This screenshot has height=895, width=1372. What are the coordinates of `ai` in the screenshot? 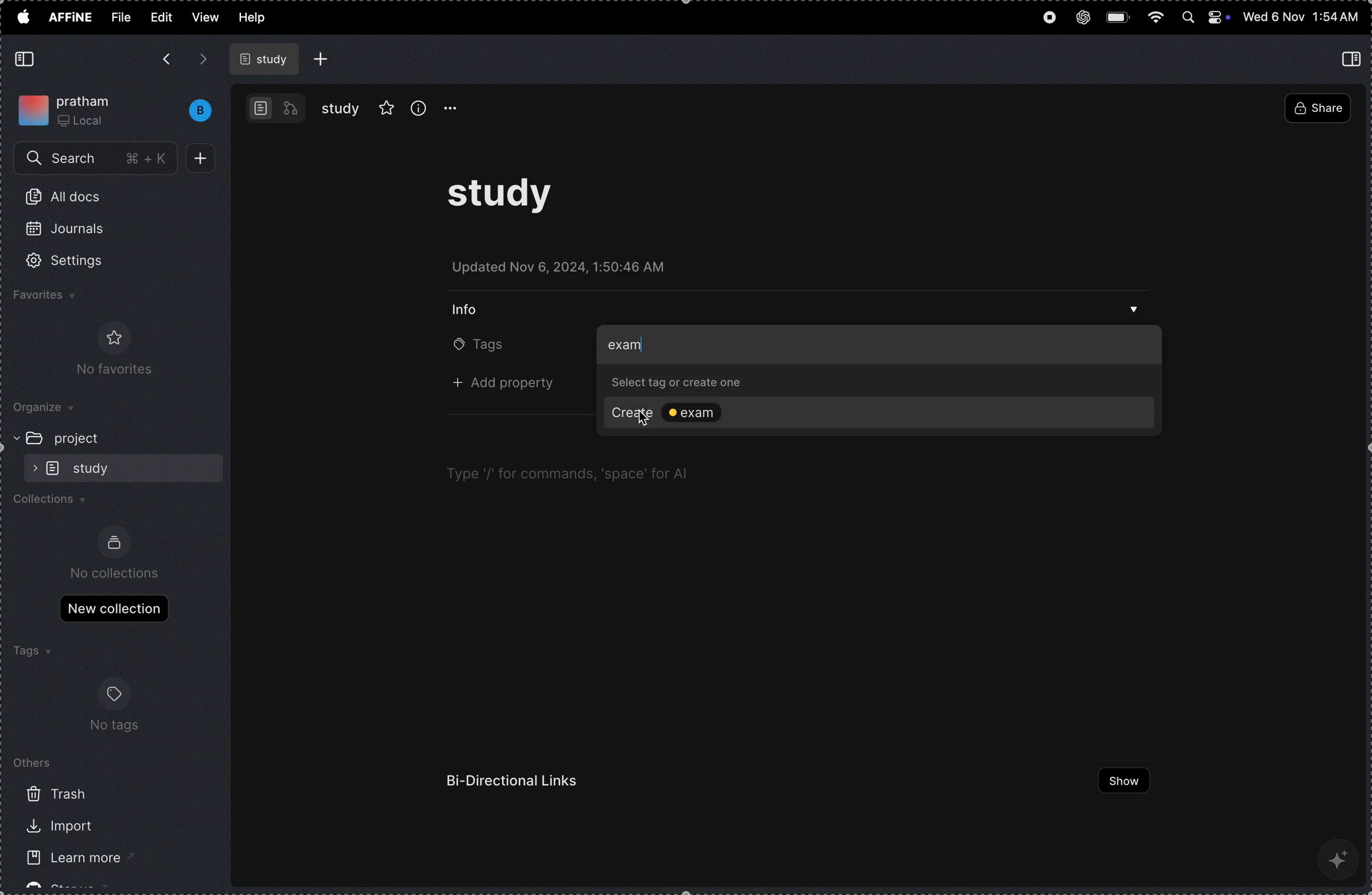 It's located at (1340, 858).